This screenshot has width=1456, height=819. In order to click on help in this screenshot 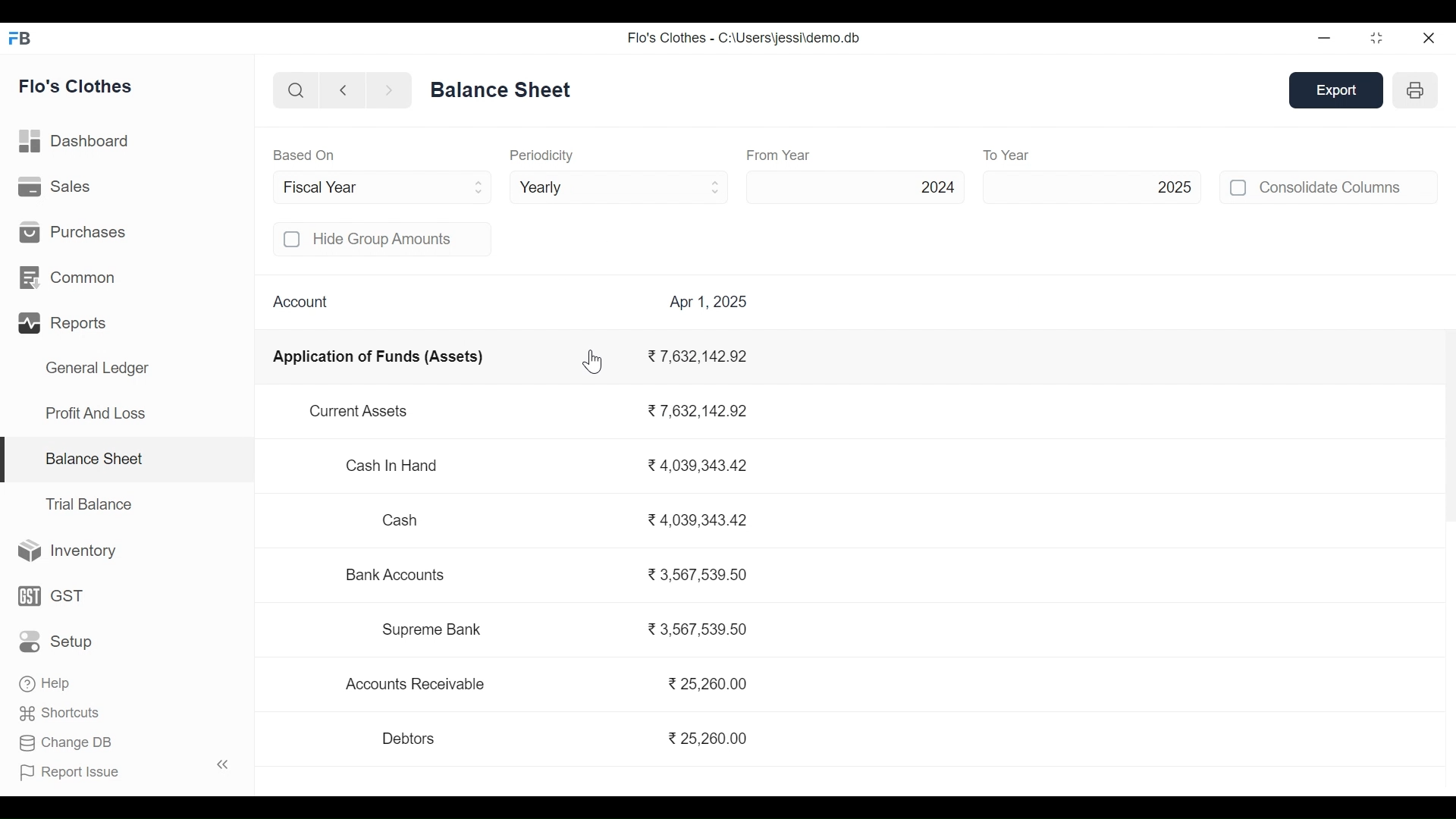, I will do `click(44, 681)`.